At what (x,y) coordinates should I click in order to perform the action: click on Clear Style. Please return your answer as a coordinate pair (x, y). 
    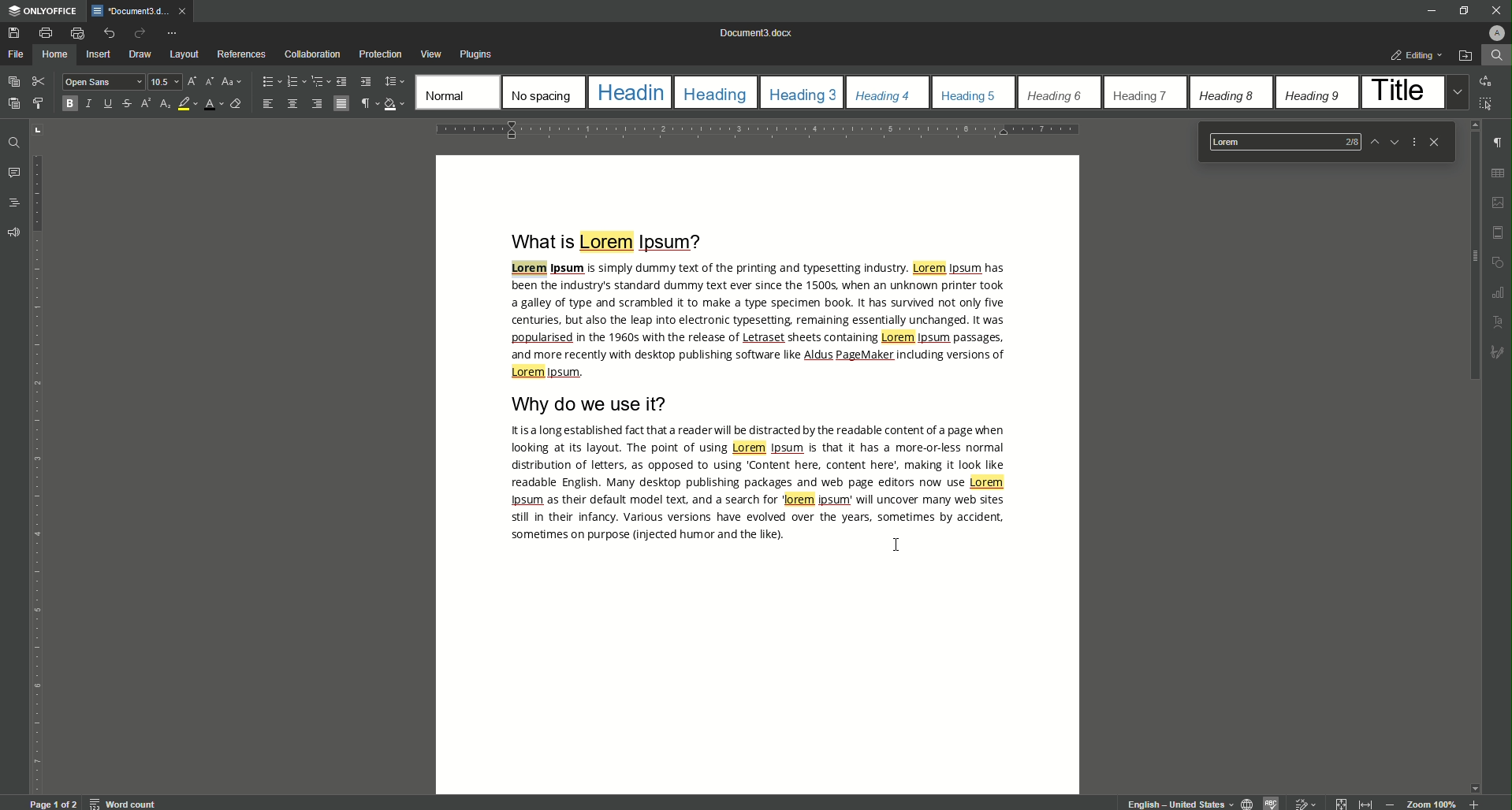
    Looking at the image, I should click on (235, 103).